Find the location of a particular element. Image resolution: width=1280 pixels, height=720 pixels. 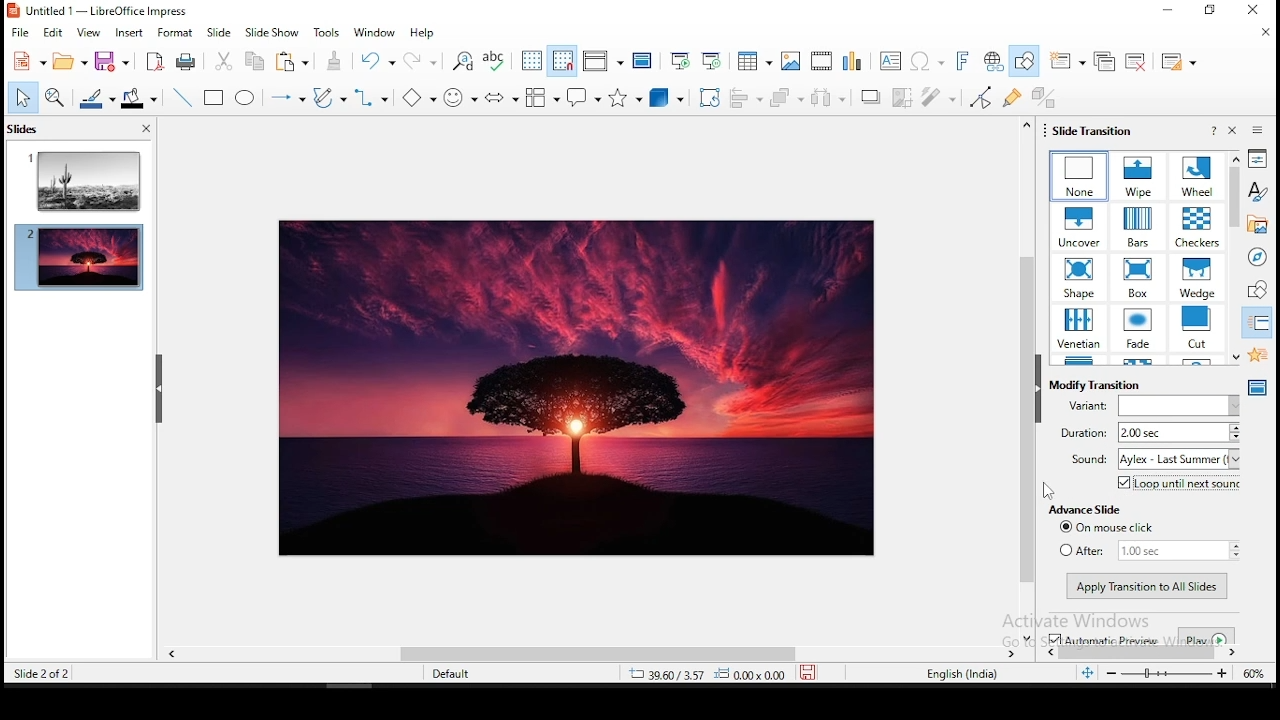

transition effects is located at coordinates (1080, 228).